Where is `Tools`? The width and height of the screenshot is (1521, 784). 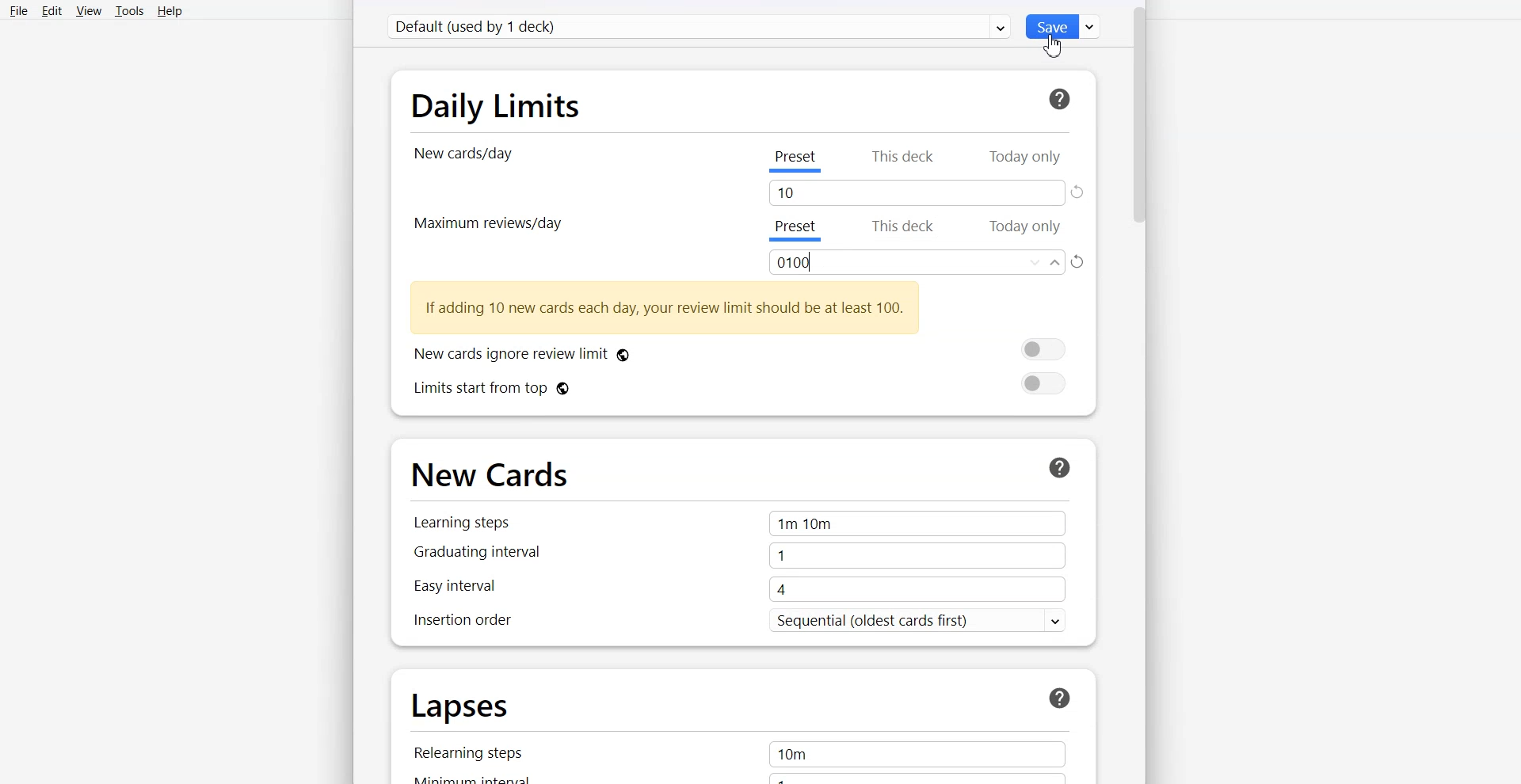 Tools is located at coordinates (129, 11).